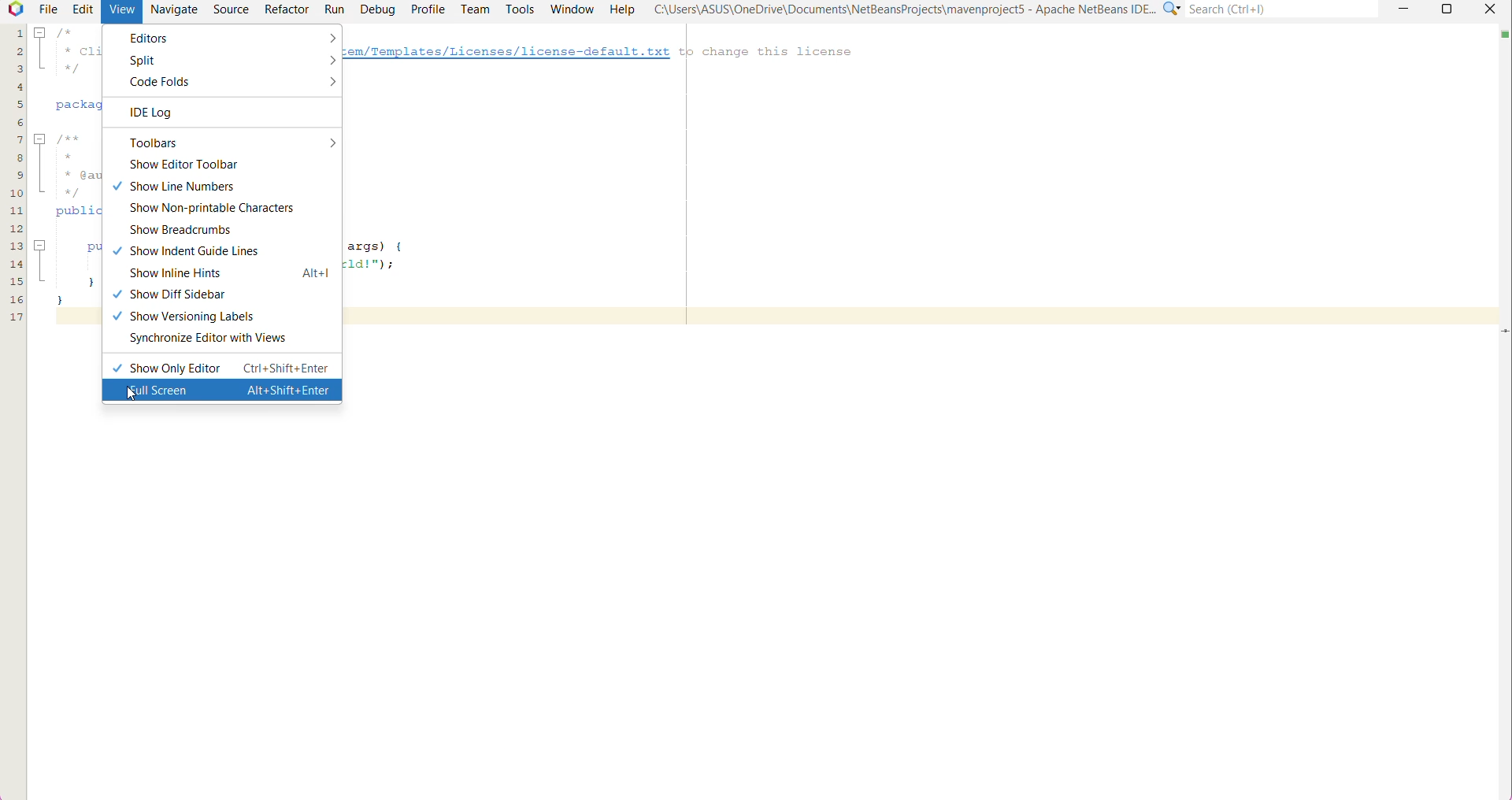  I want to click on Show Breadcrumbs, so click(191, 231).